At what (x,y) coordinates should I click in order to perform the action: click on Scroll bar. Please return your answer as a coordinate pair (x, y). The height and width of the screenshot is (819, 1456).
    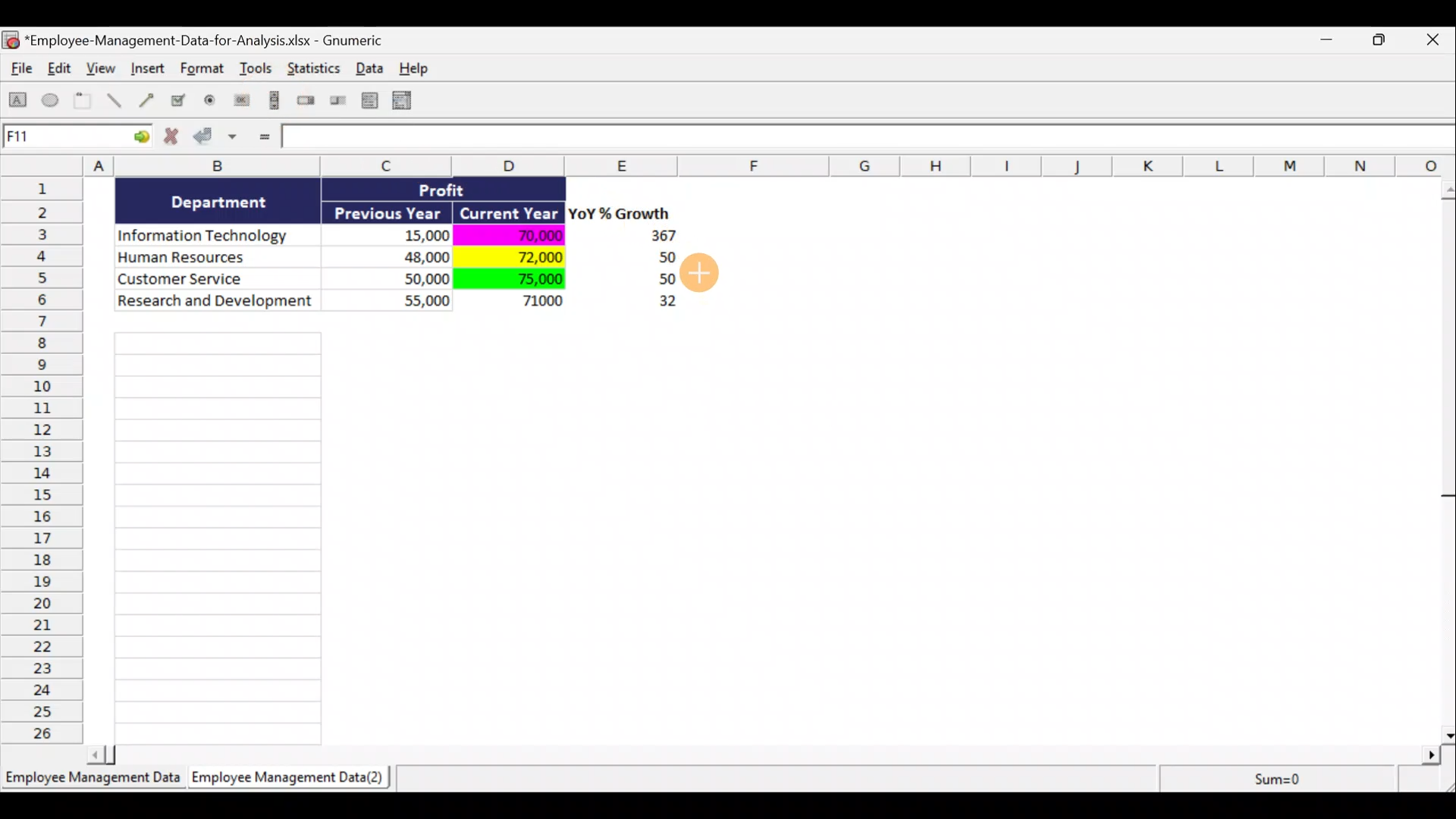
    Looking at the image, I should click on (769, 752).